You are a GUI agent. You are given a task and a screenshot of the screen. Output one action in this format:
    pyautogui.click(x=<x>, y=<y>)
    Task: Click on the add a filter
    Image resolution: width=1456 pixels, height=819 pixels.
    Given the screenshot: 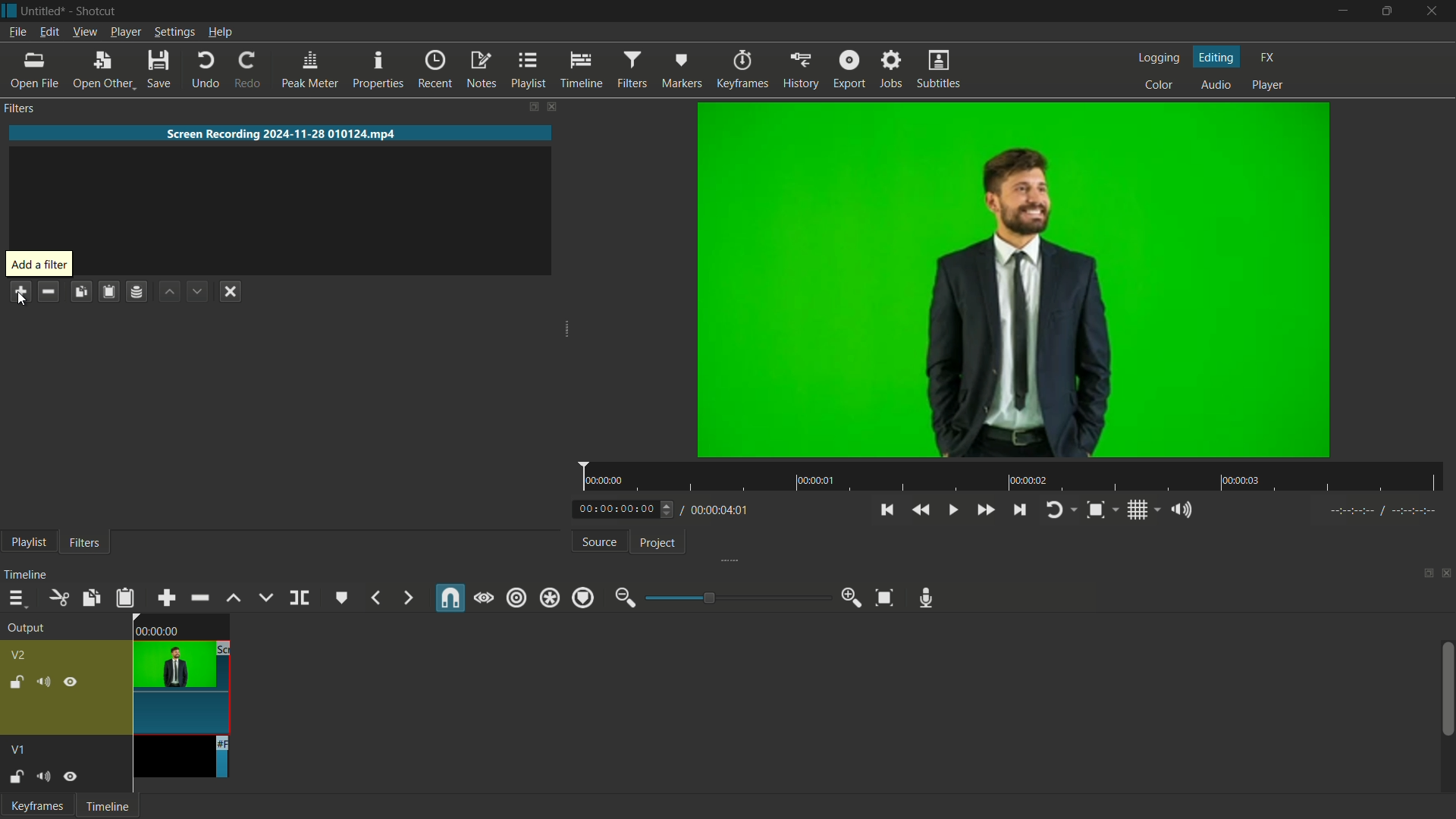 What is the action you would take?
    pyautogui.click(x=39, y=264)
    